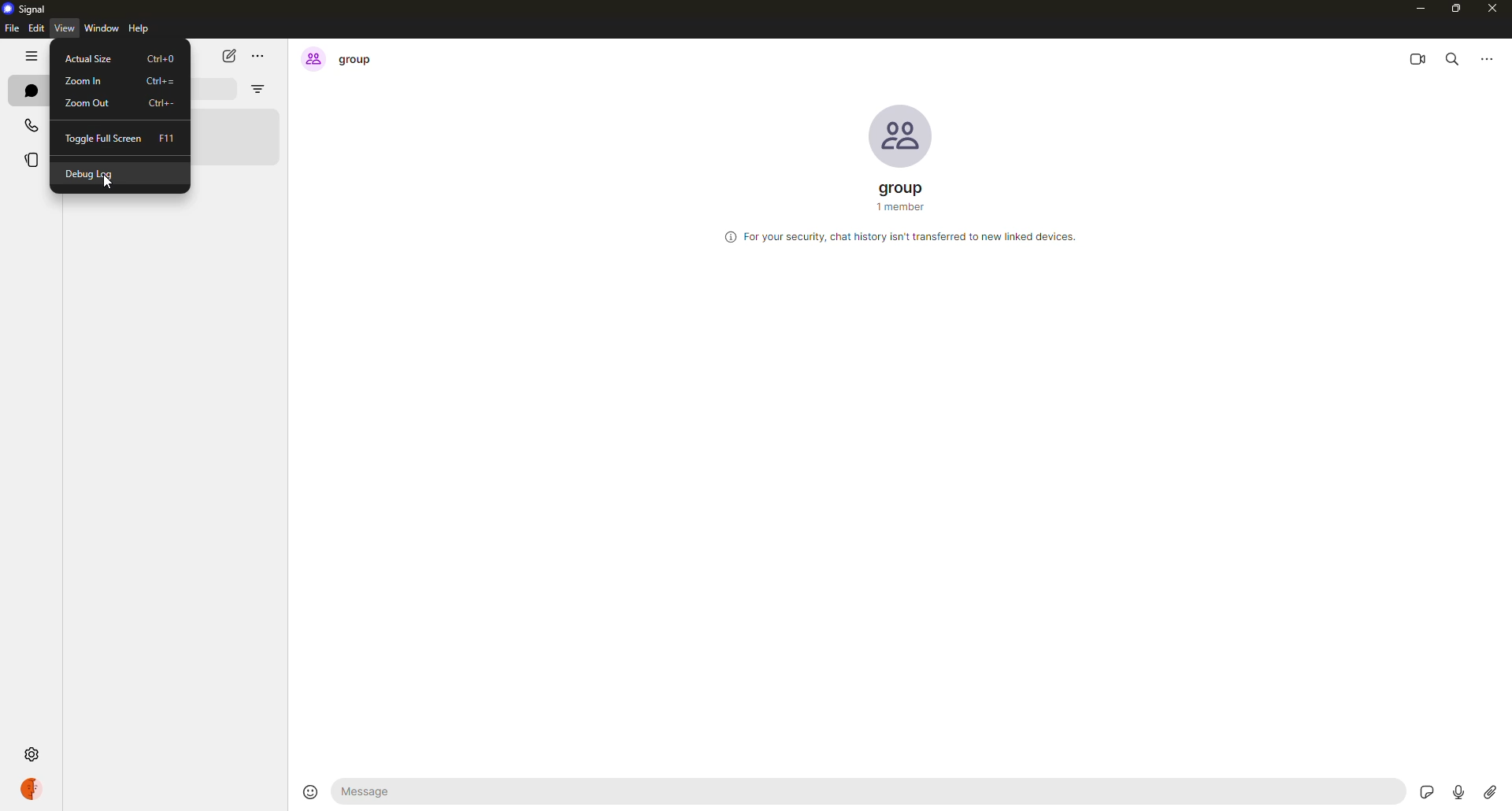  What do you see at coordinates (138, 29) in the screenshot?
I see `help` at bounding box center [138, 29].